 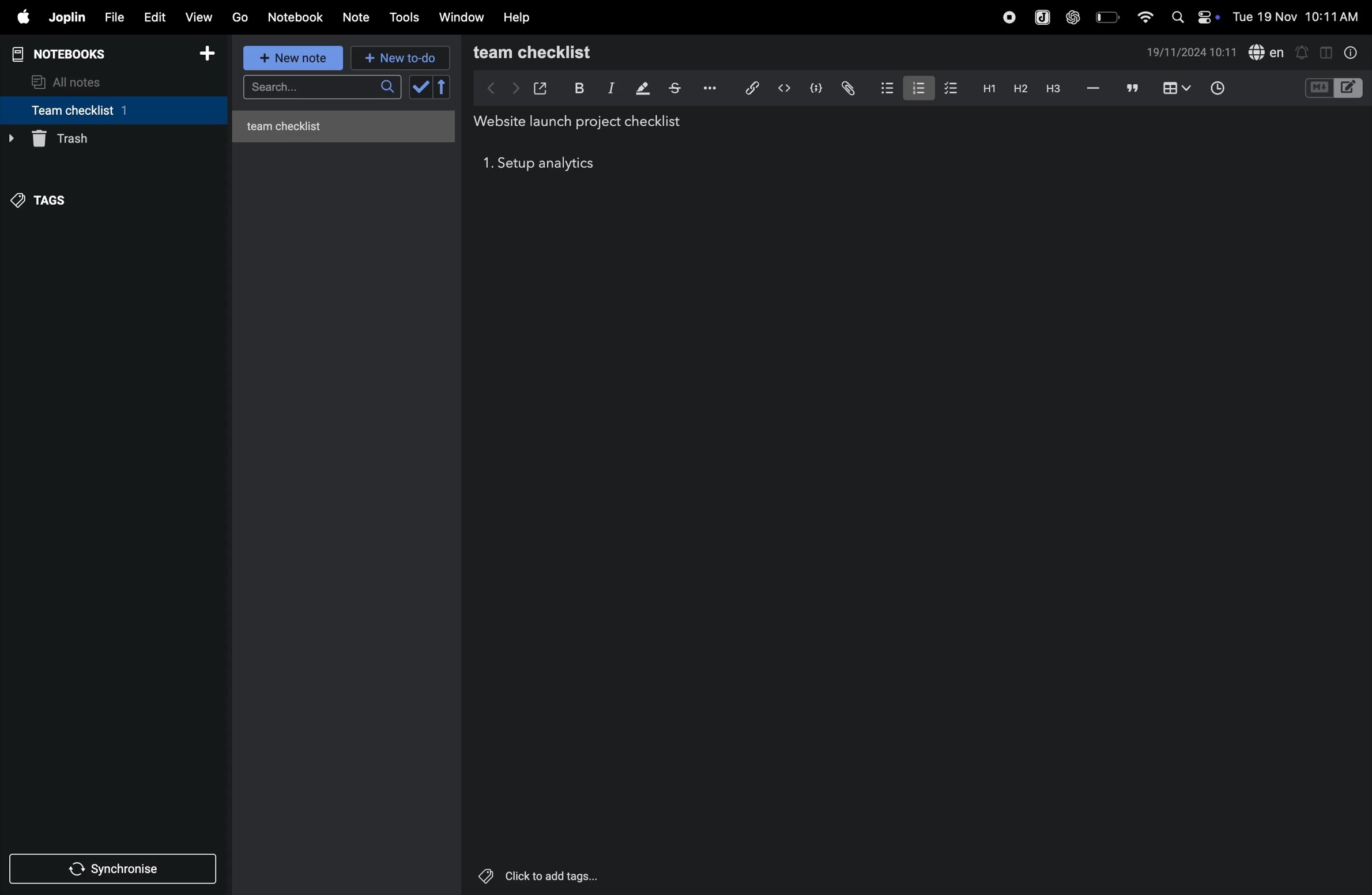 I want to click on date and time, so click(x=1297, y=17).